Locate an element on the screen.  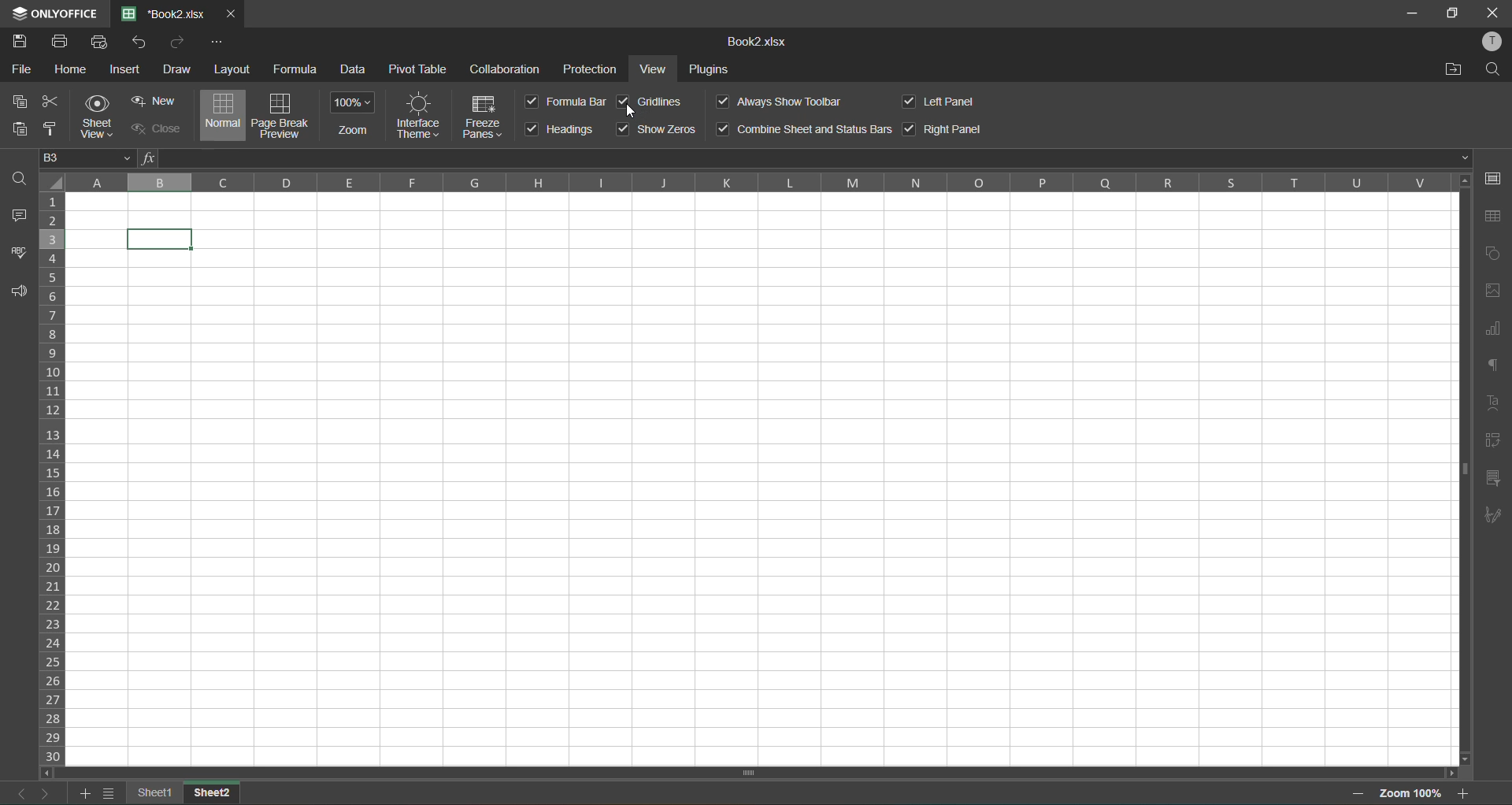
collaboration is located at coordinates (506, 69).